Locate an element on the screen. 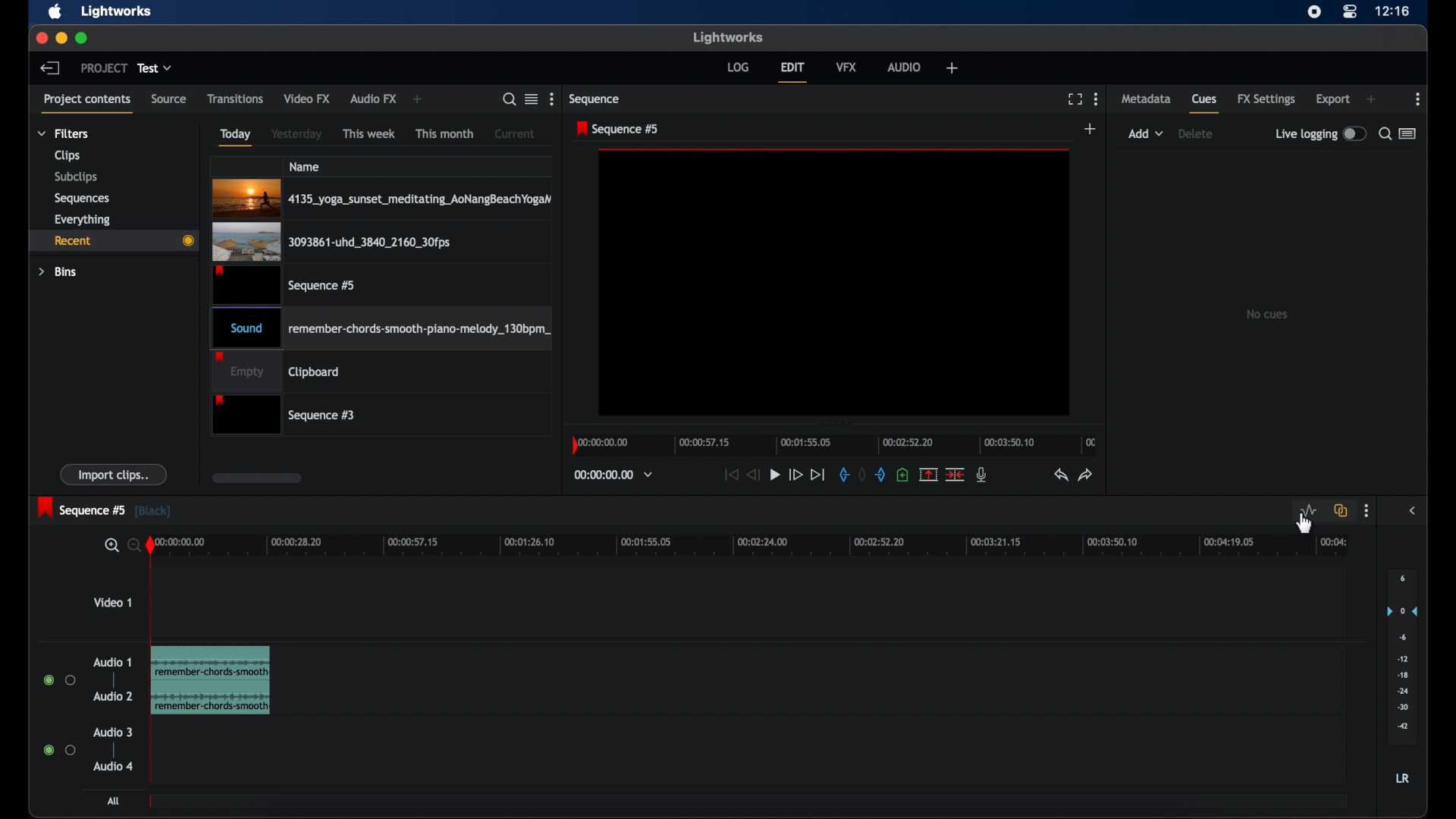  current is located at coordinates (515, 133).